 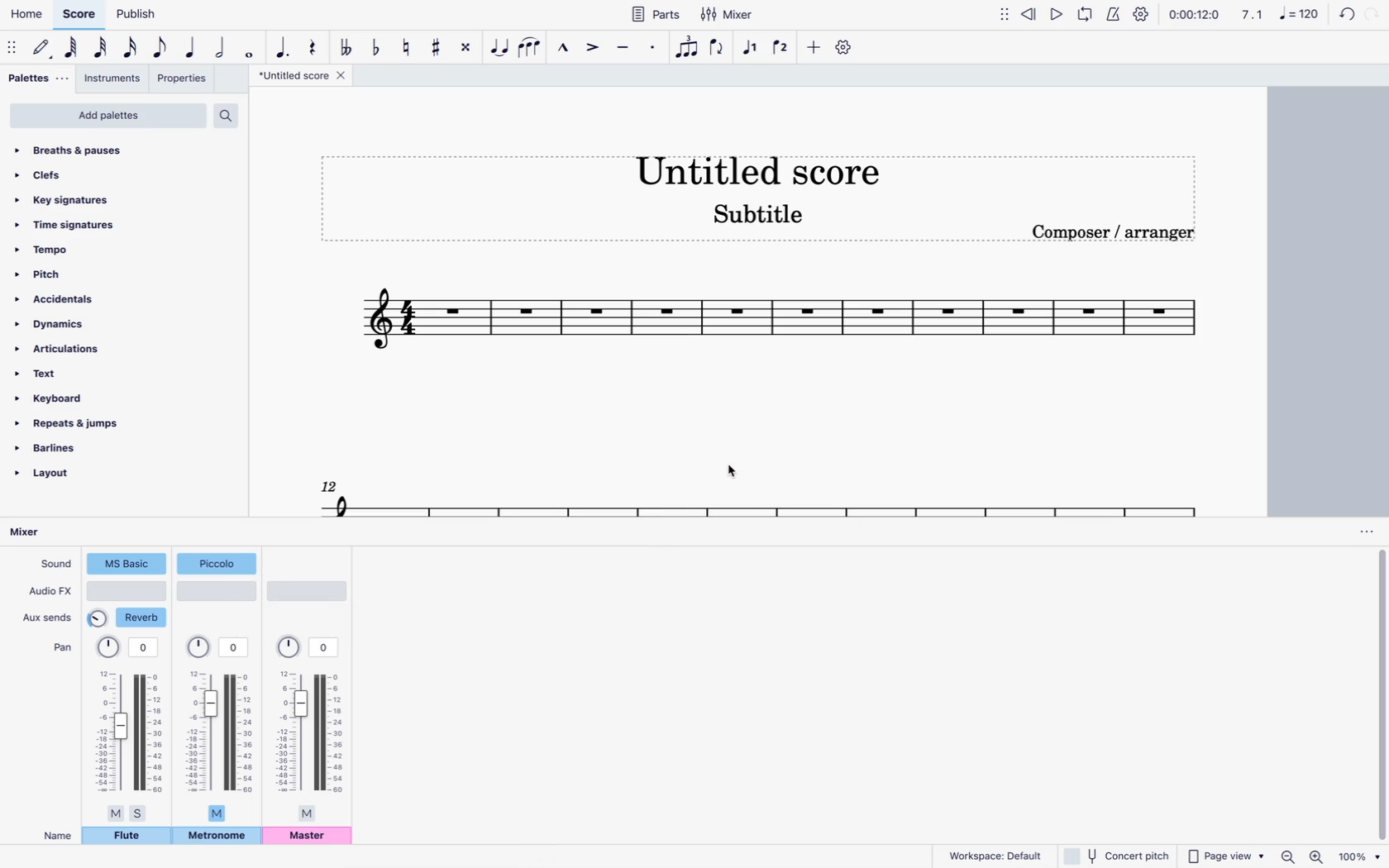 What do you see at coordinates (107, 116) in the screenshot?
I see `add palettes` at bounding box center [107, 116].